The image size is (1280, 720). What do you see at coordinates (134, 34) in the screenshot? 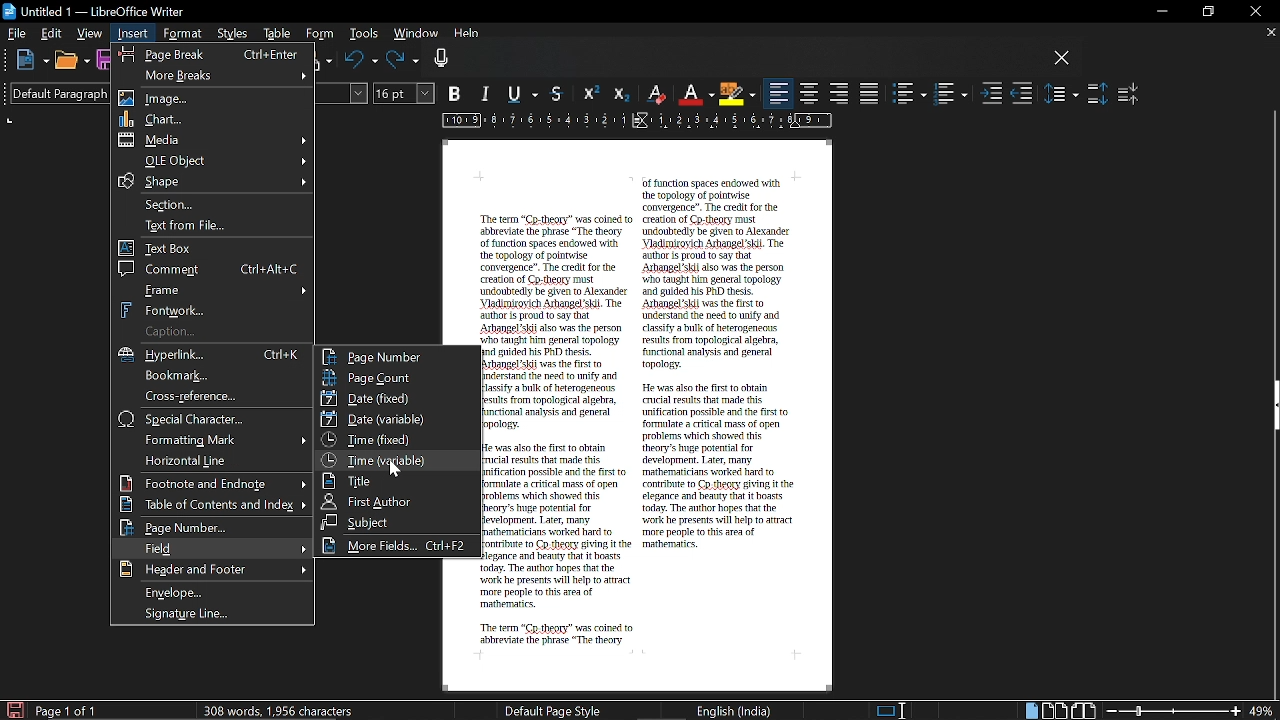
I see `Insert` at bounding box center [134, 34].